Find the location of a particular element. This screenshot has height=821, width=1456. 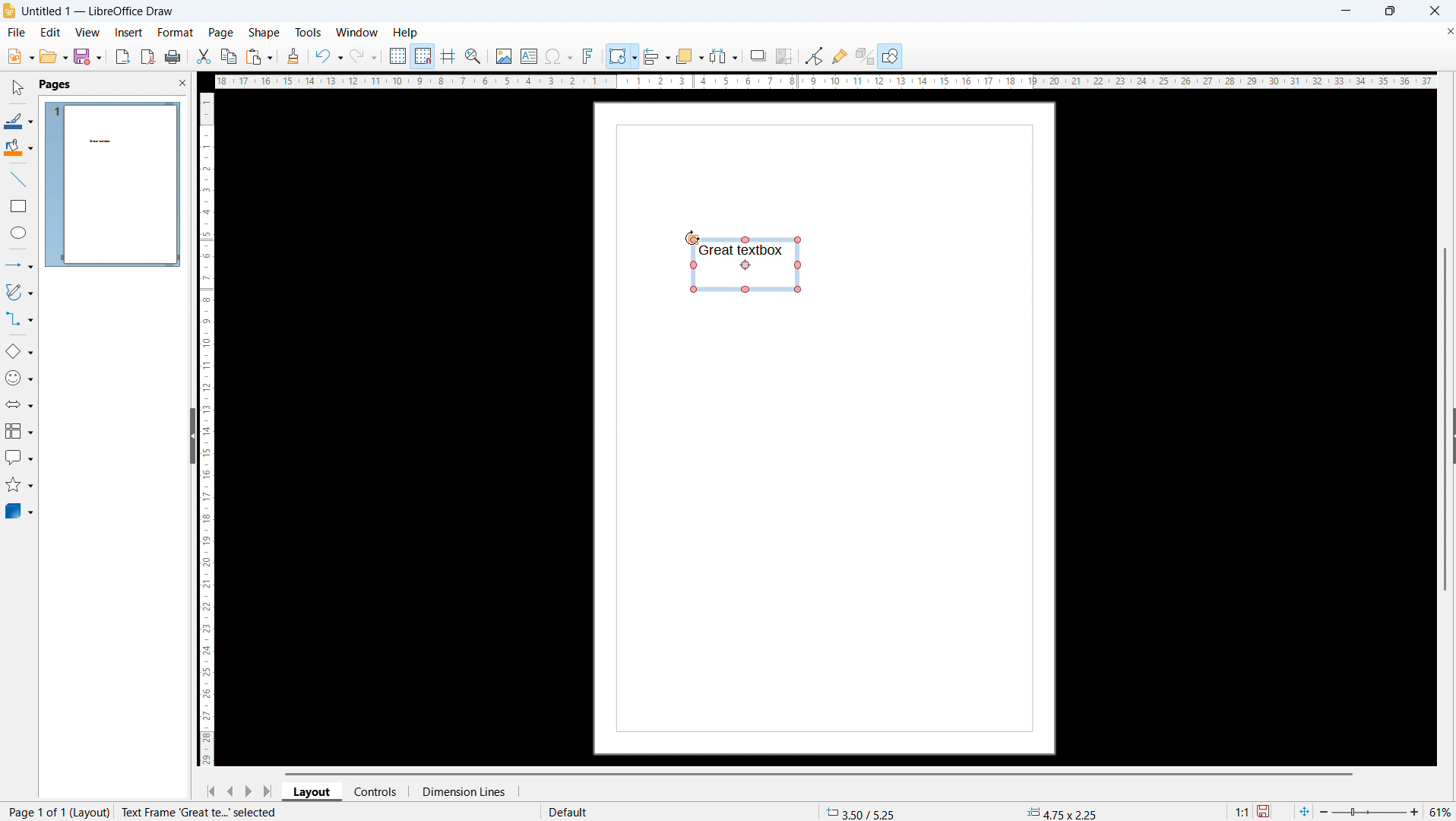

insert textbox is located at coordinates (529, 55).